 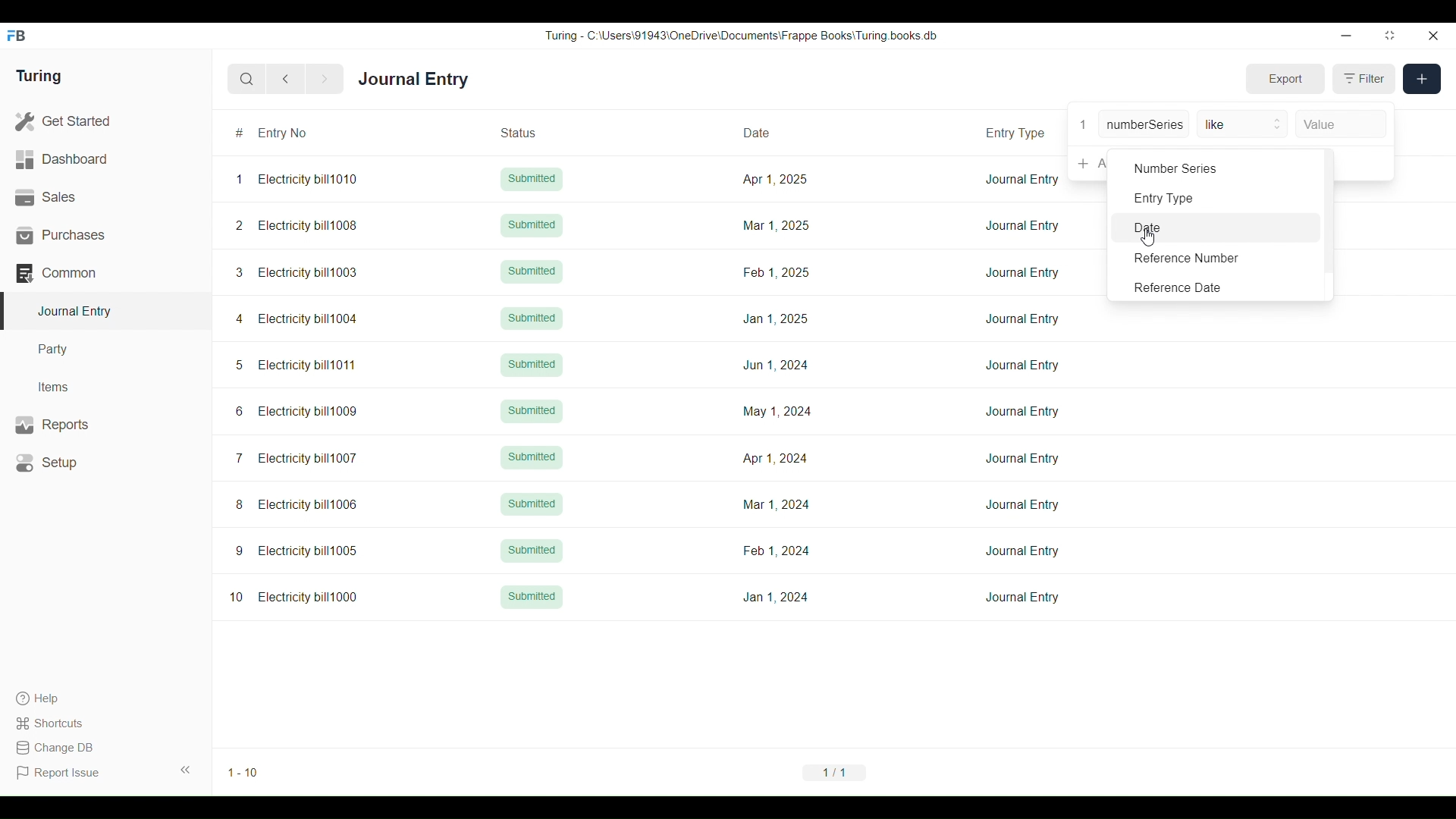 I want to click on 8 Electricity bill1006, so click(x=297, y=504).